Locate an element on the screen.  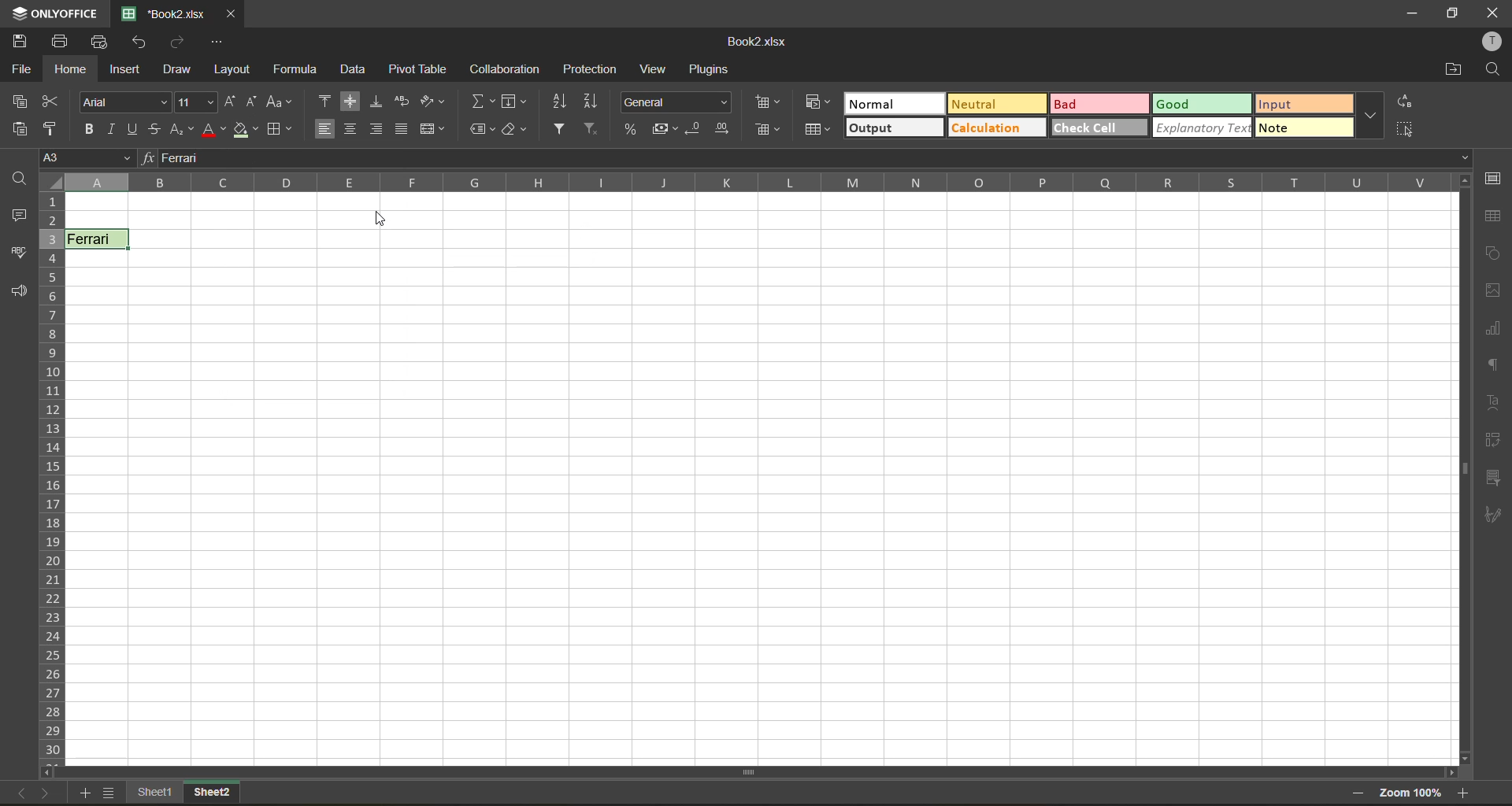
decrement size is located at coordinates (254, 104).